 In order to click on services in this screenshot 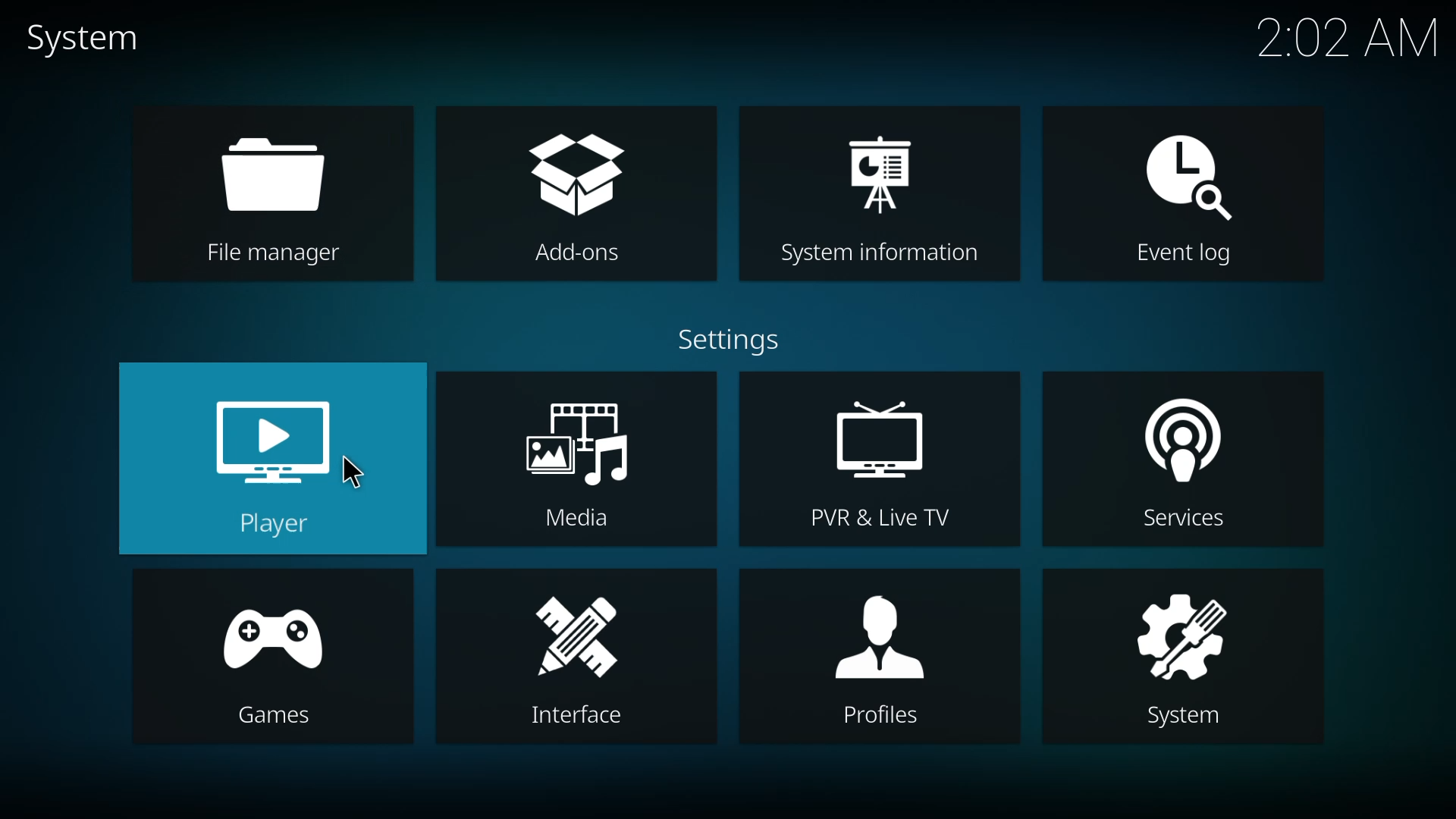, I will do `click(1181, 462)`.